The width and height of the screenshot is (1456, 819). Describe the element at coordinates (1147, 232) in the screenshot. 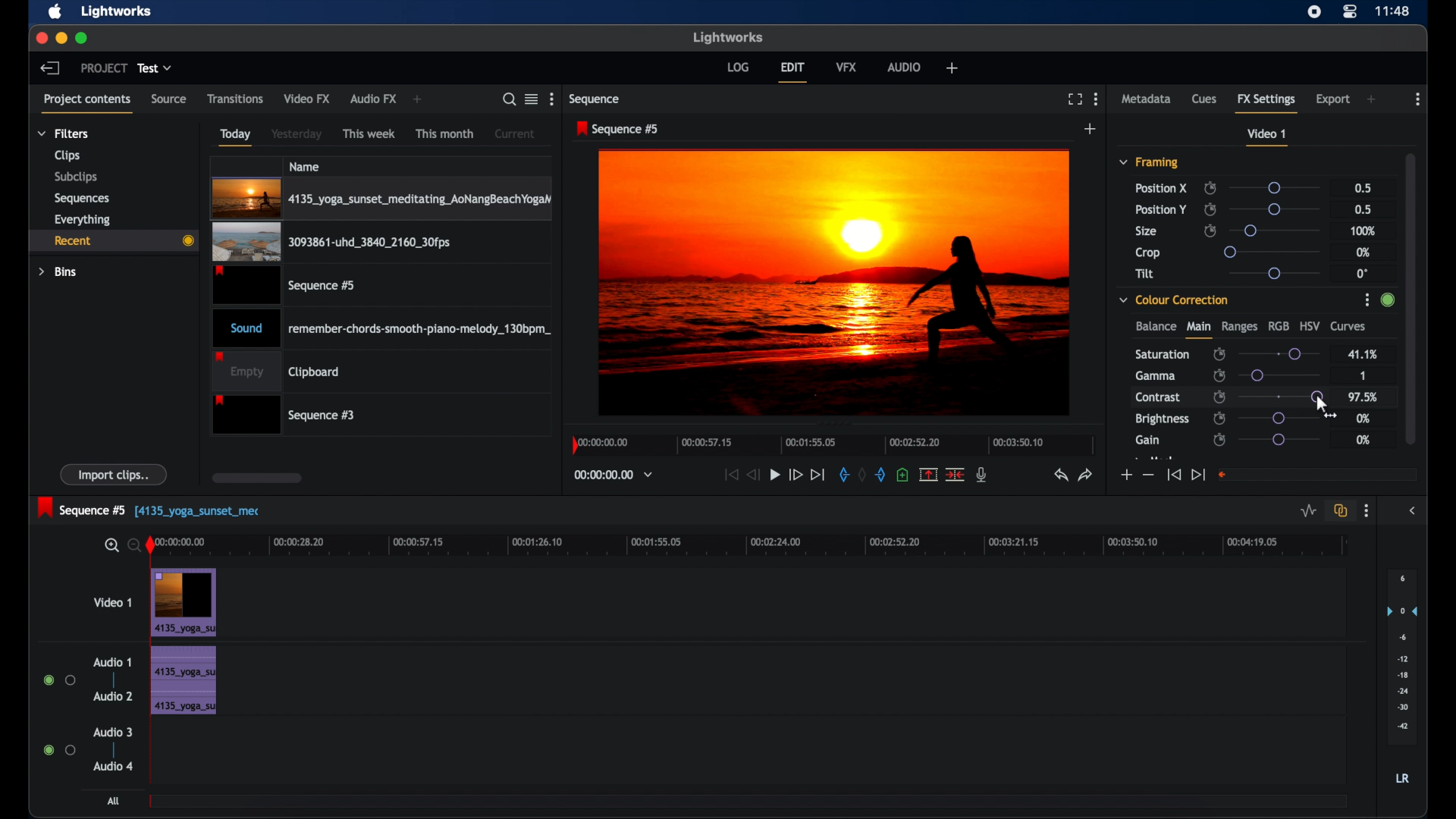

I see `size` at that location.